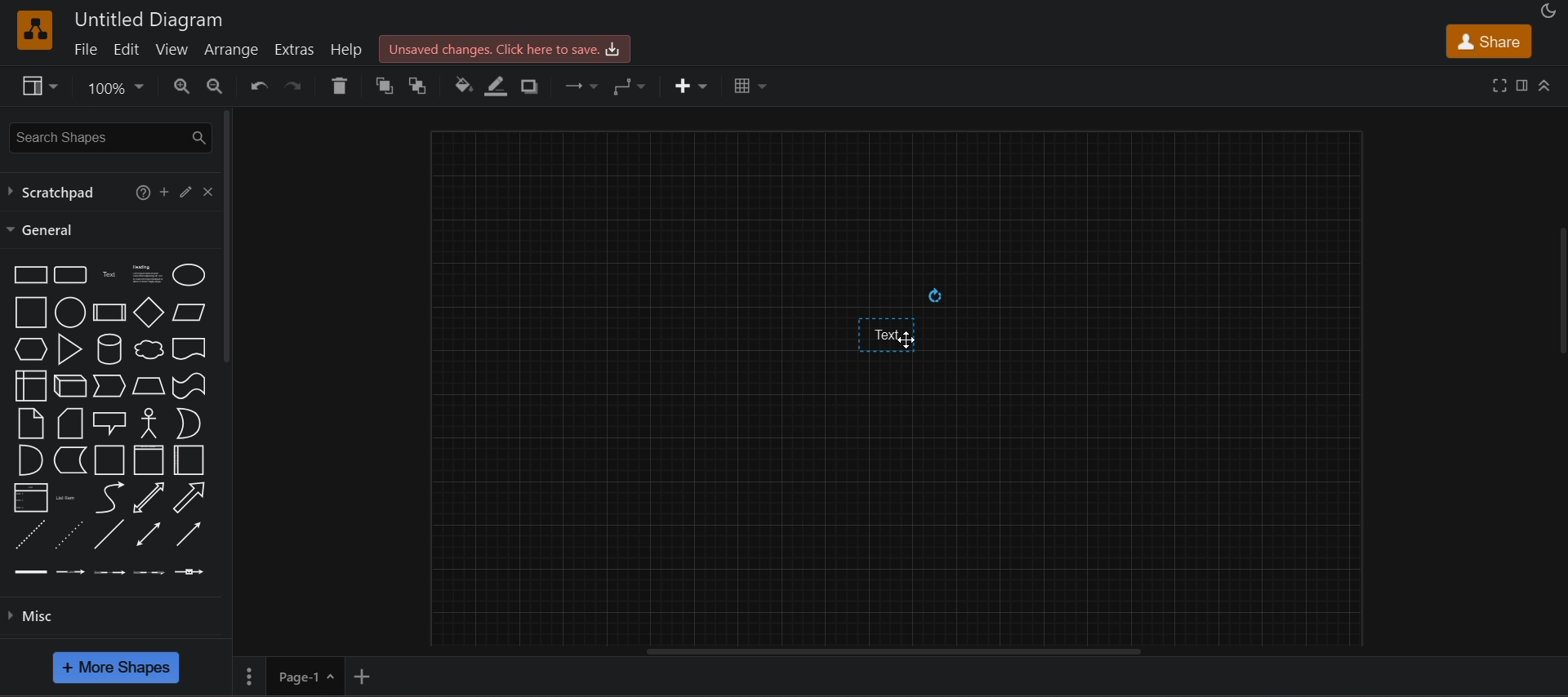 This screenshot has height=697, width=1568. Describe the element at coordinates (149, 385) in the screenshot. I see `Trapezoid` at that location.